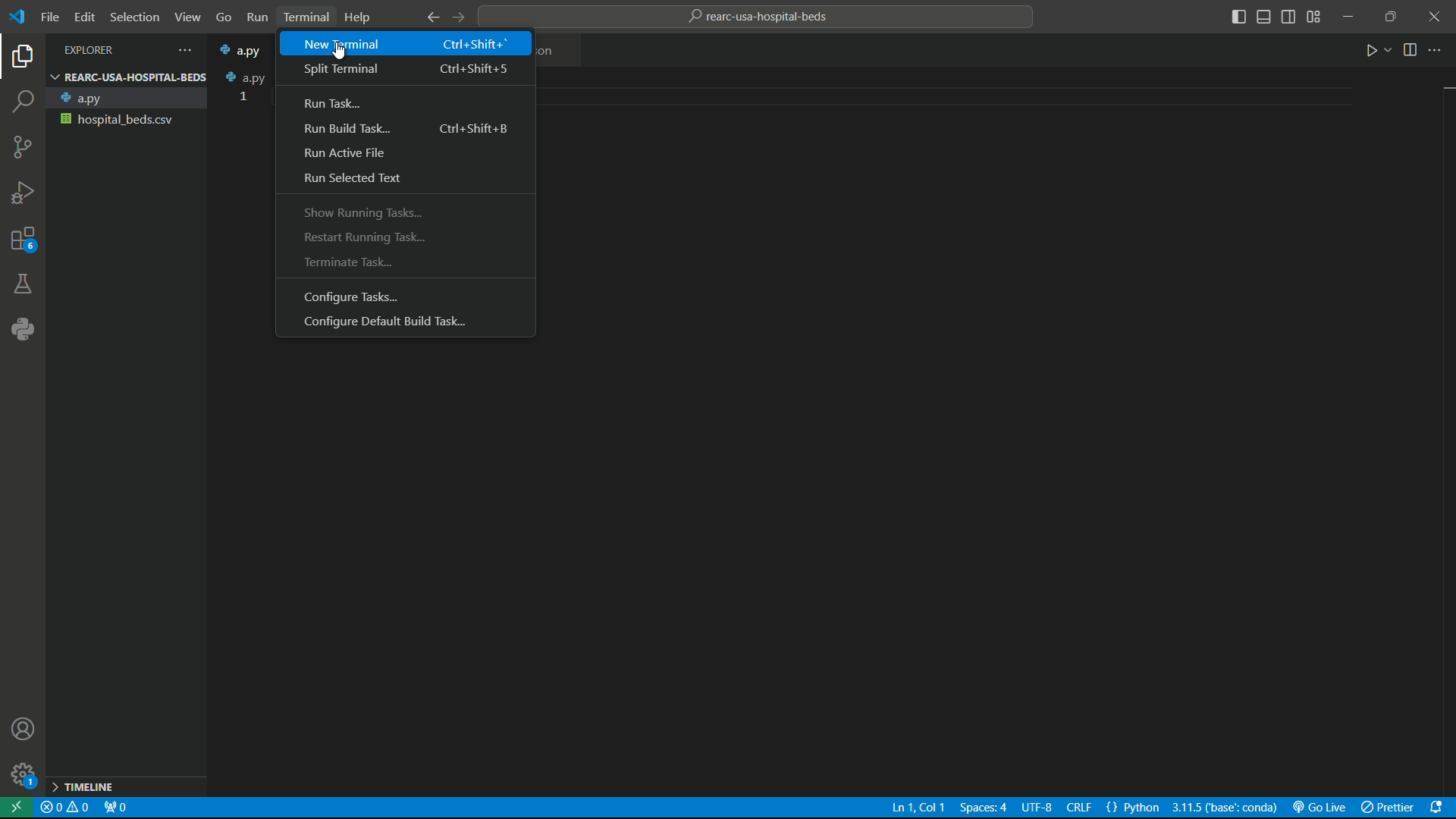 Image resolution: width=1456 pixels, height=819 pixels. What do you see at coordinates (66, 808) in the screenshot?
I see `code problems` at bounding box center [66, 808].